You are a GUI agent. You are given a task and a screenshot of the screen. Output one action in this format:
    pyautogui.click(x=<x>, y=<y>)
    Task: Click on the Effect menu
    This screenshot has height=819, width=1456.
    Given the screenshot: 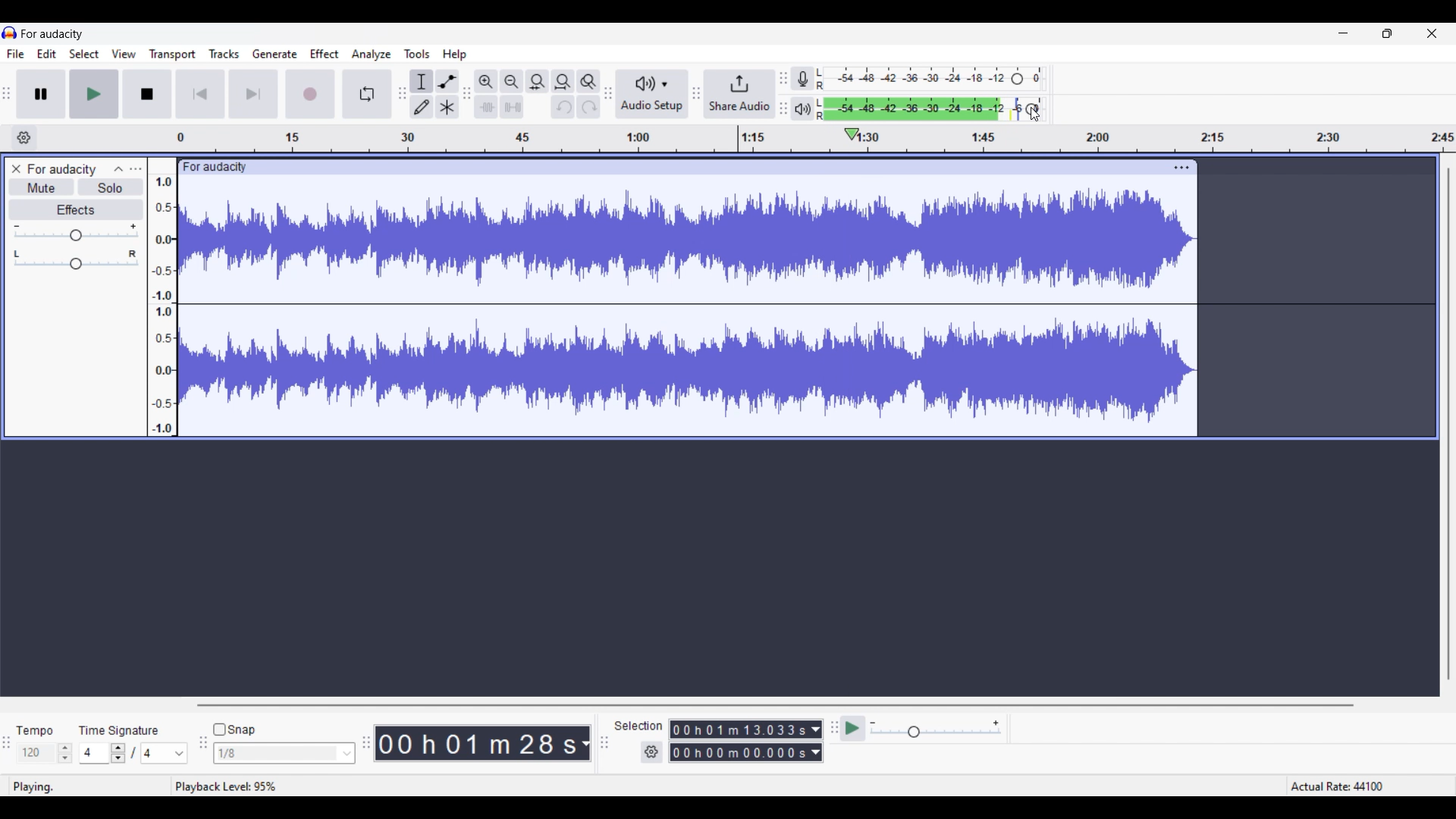 What is the action you would take?
    pyautogui.click(x=325, y=53)
    